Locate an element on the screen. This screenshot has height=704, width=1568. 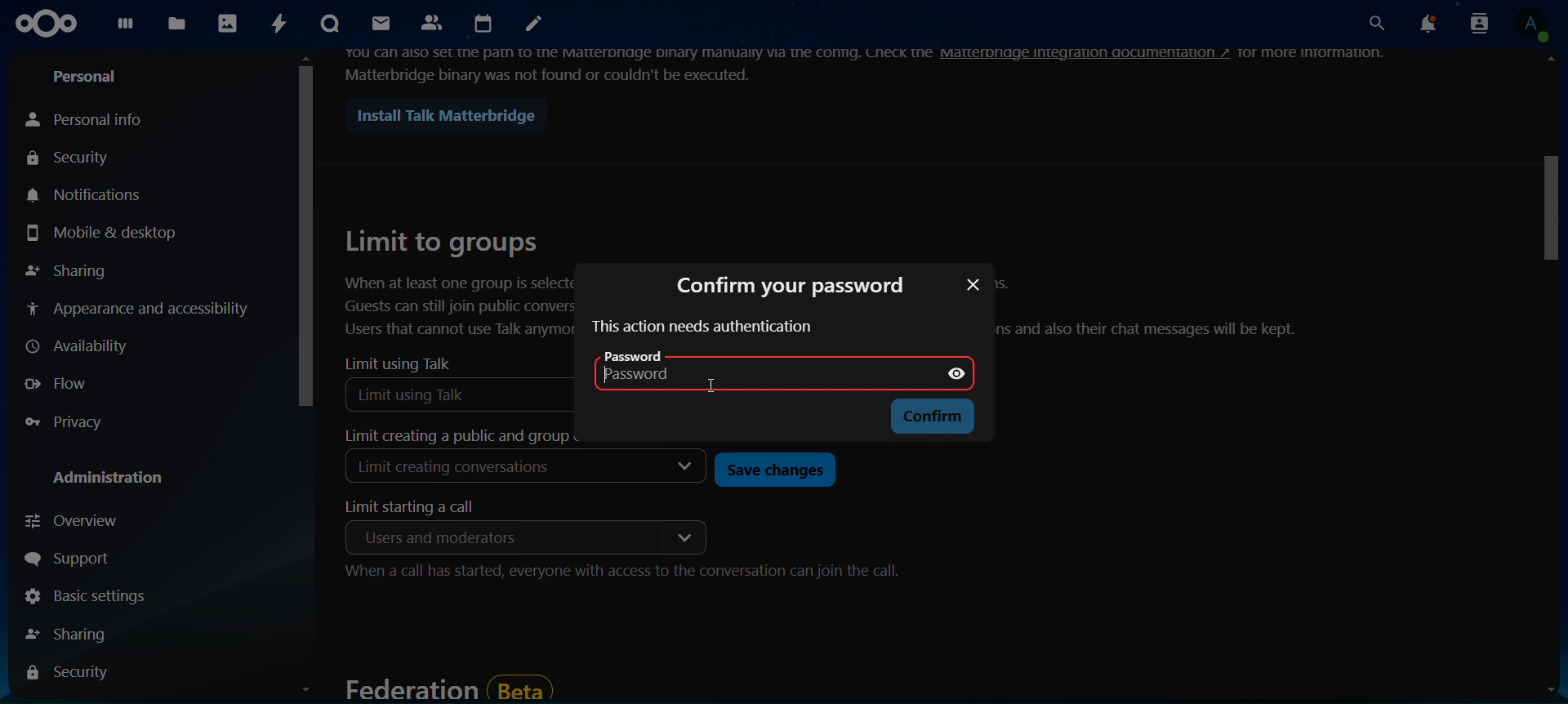
text is located at coordinates (638, 64).